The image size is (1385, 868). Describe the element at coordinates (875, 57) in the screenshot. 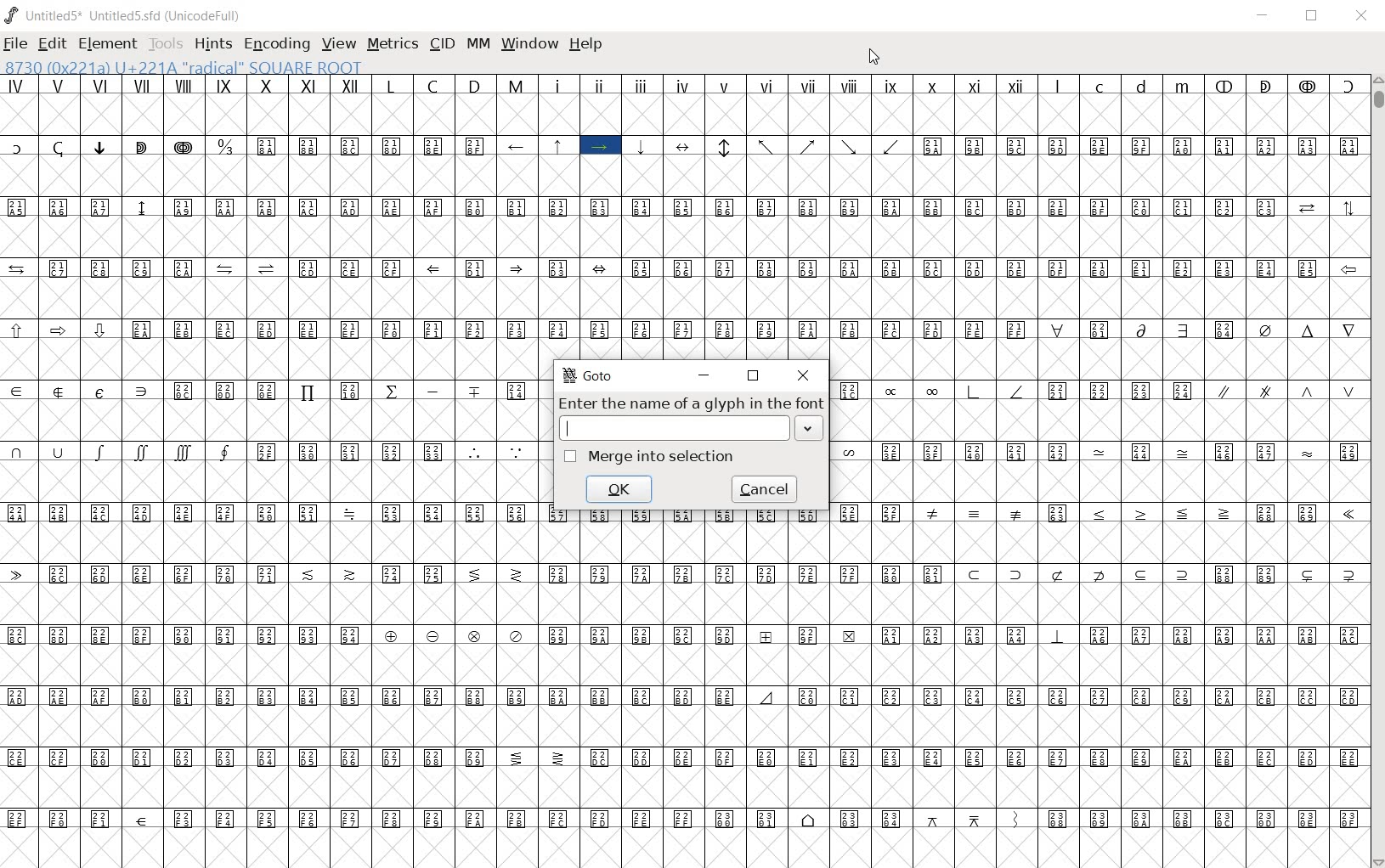

I see `CURSOR` at that location.